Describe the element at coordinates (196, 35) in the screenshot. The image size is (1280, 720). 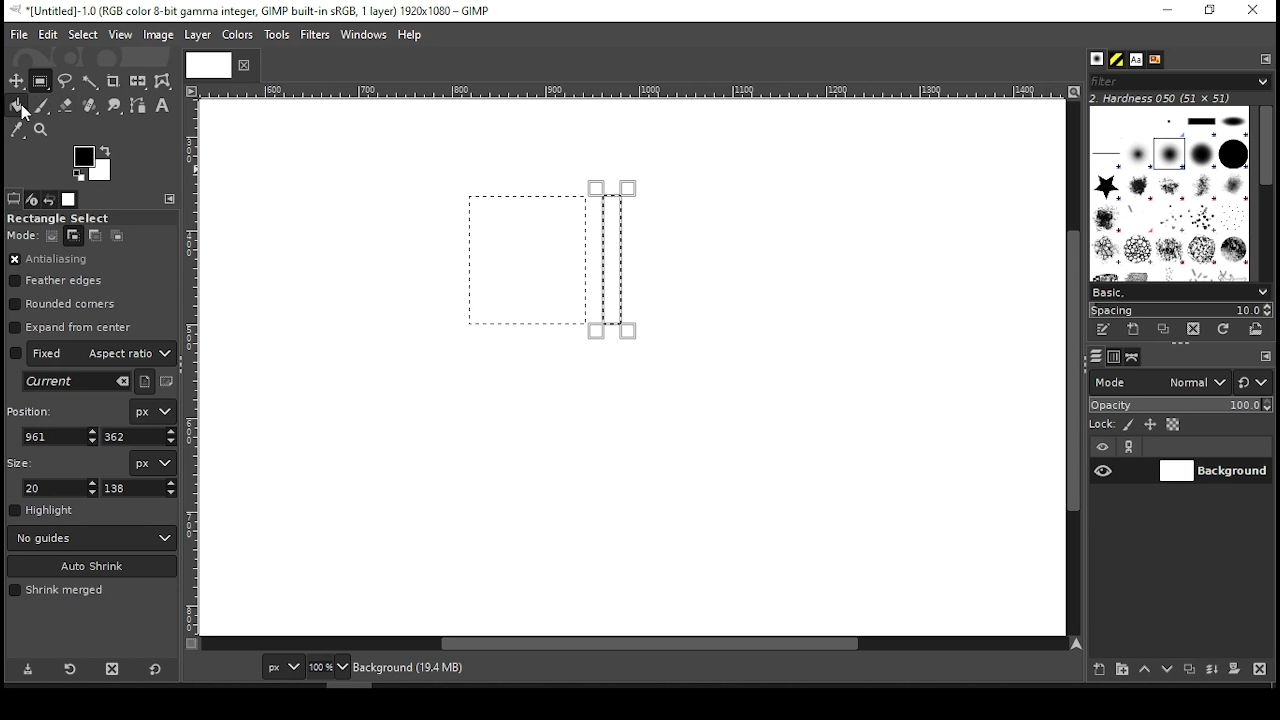
I see `layer` at that location.